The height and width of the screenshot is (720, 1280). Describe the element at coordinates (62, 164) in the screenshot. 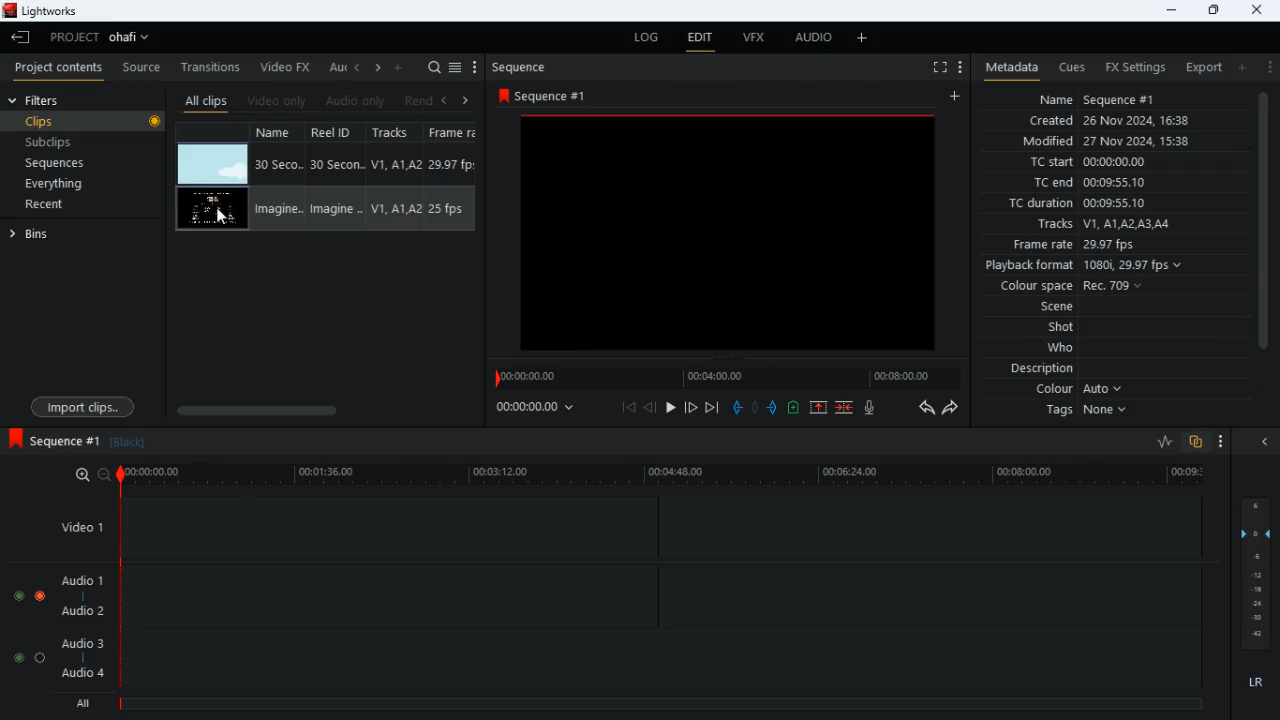

I see `sequences` at that location.